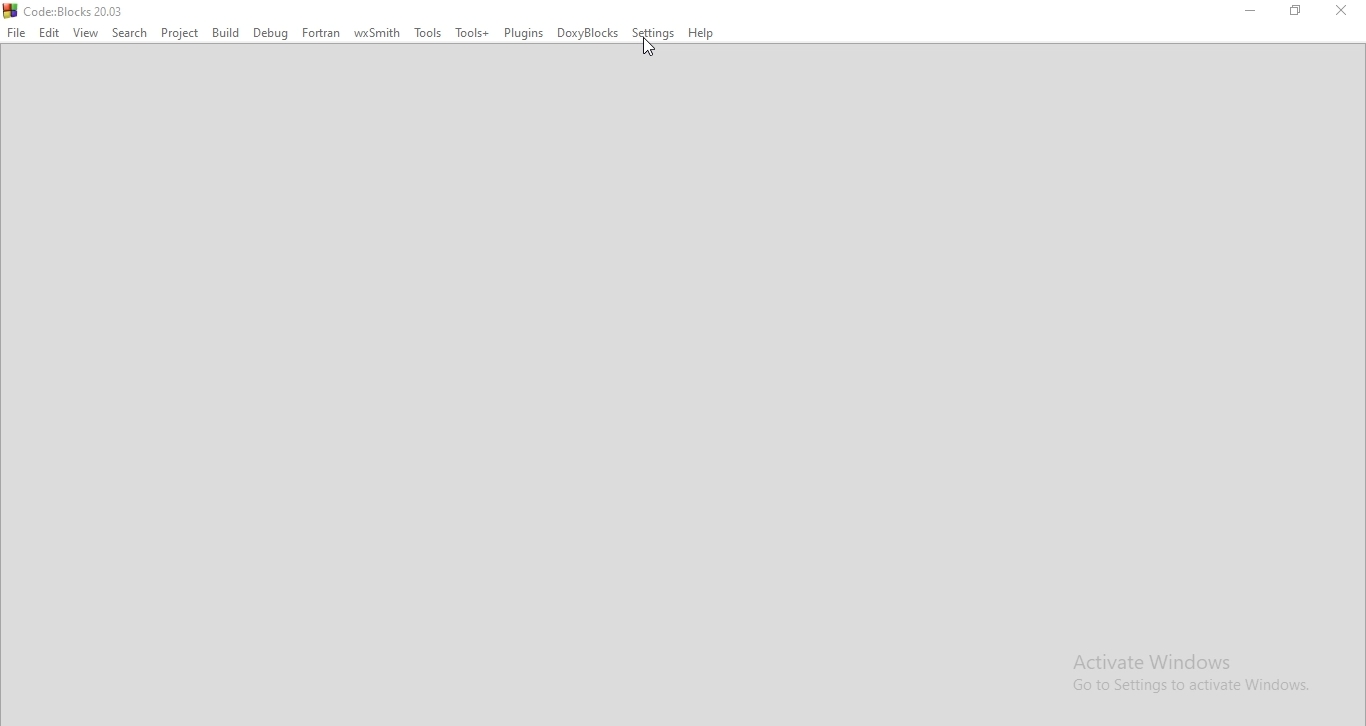 The image size is (1366, 726). Describe the element at coordinates (322, 33) in the screenshot. I see `Fortran` at that location.